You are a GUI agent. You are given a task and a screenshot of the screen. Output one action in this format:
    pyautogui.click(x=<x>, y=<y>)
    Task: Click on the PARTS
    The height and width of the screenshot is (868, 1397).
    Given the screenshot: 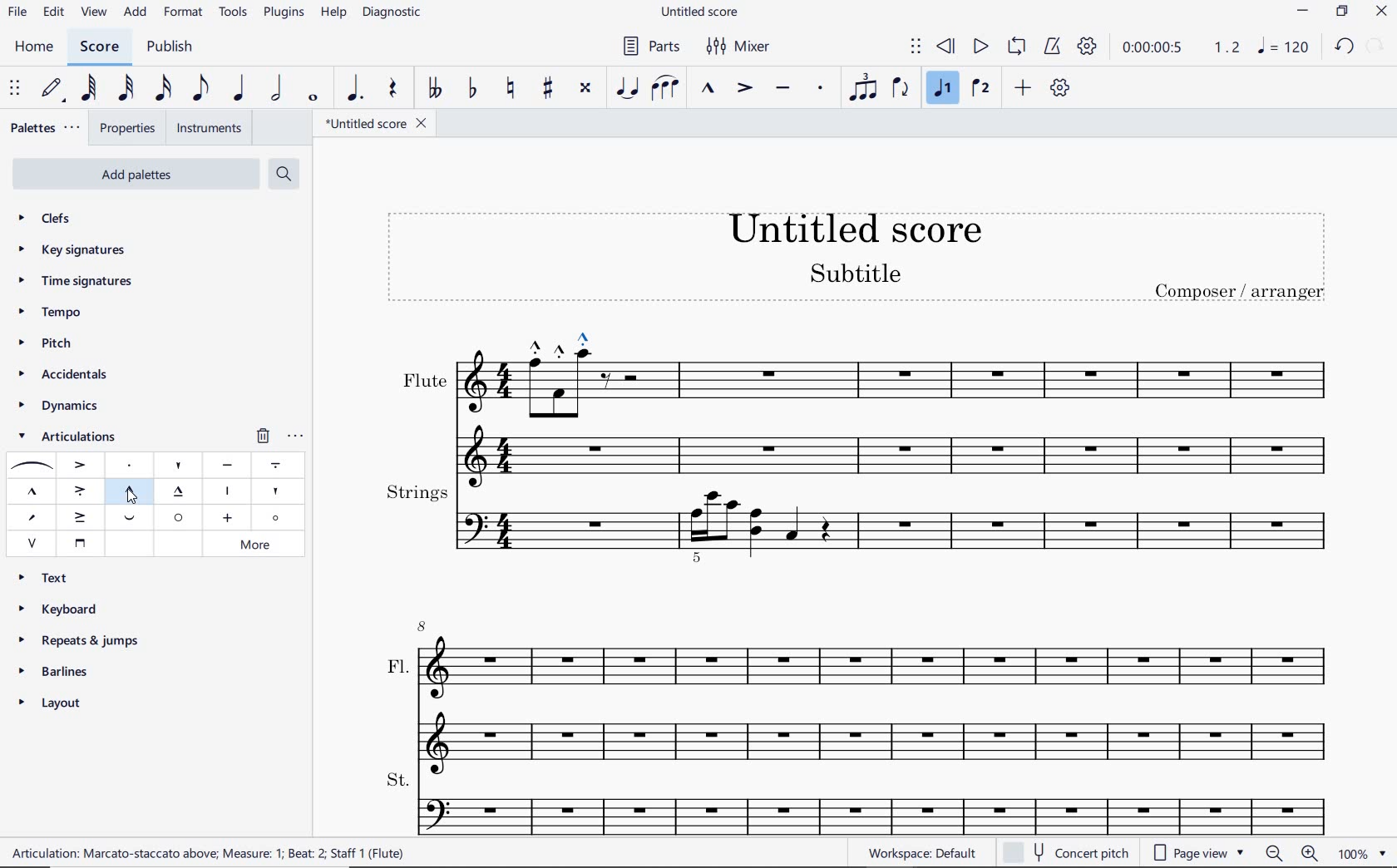 What is the action you would take?
    pyautogui.click(x=650, y=47)
    